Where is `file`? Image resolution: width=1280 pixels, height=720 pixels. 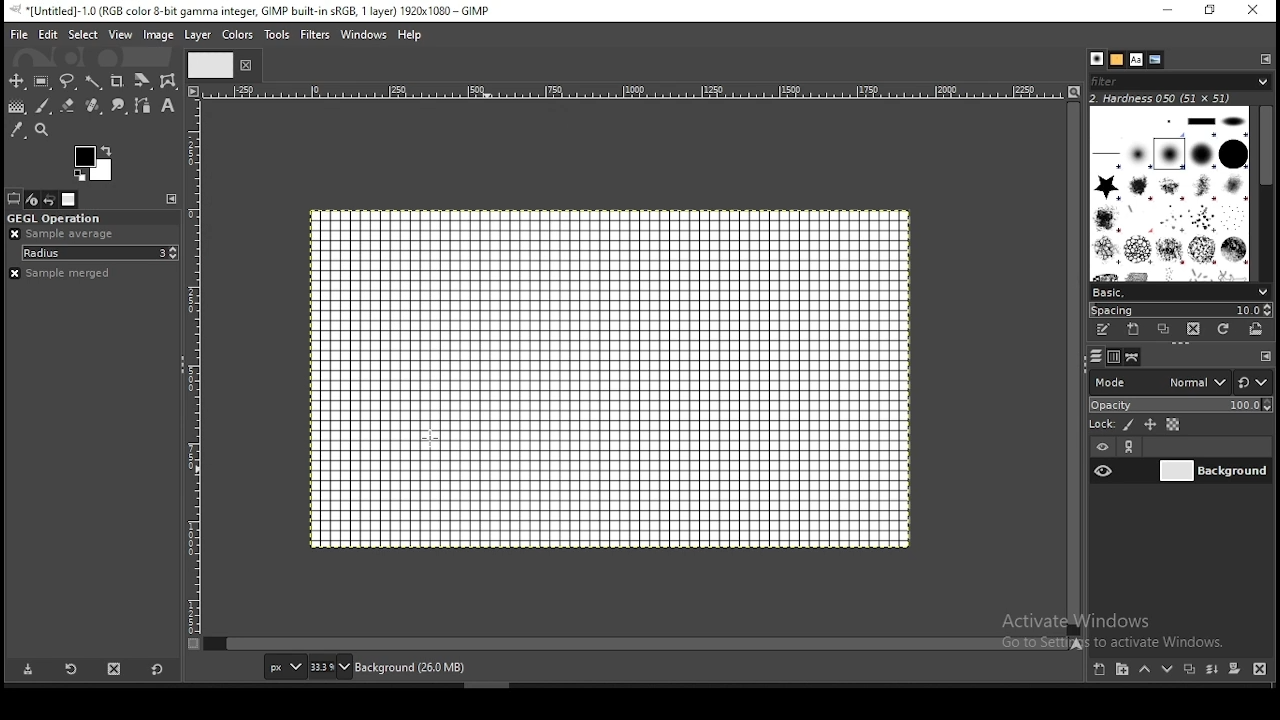 file is located at coordinates (19, 34).